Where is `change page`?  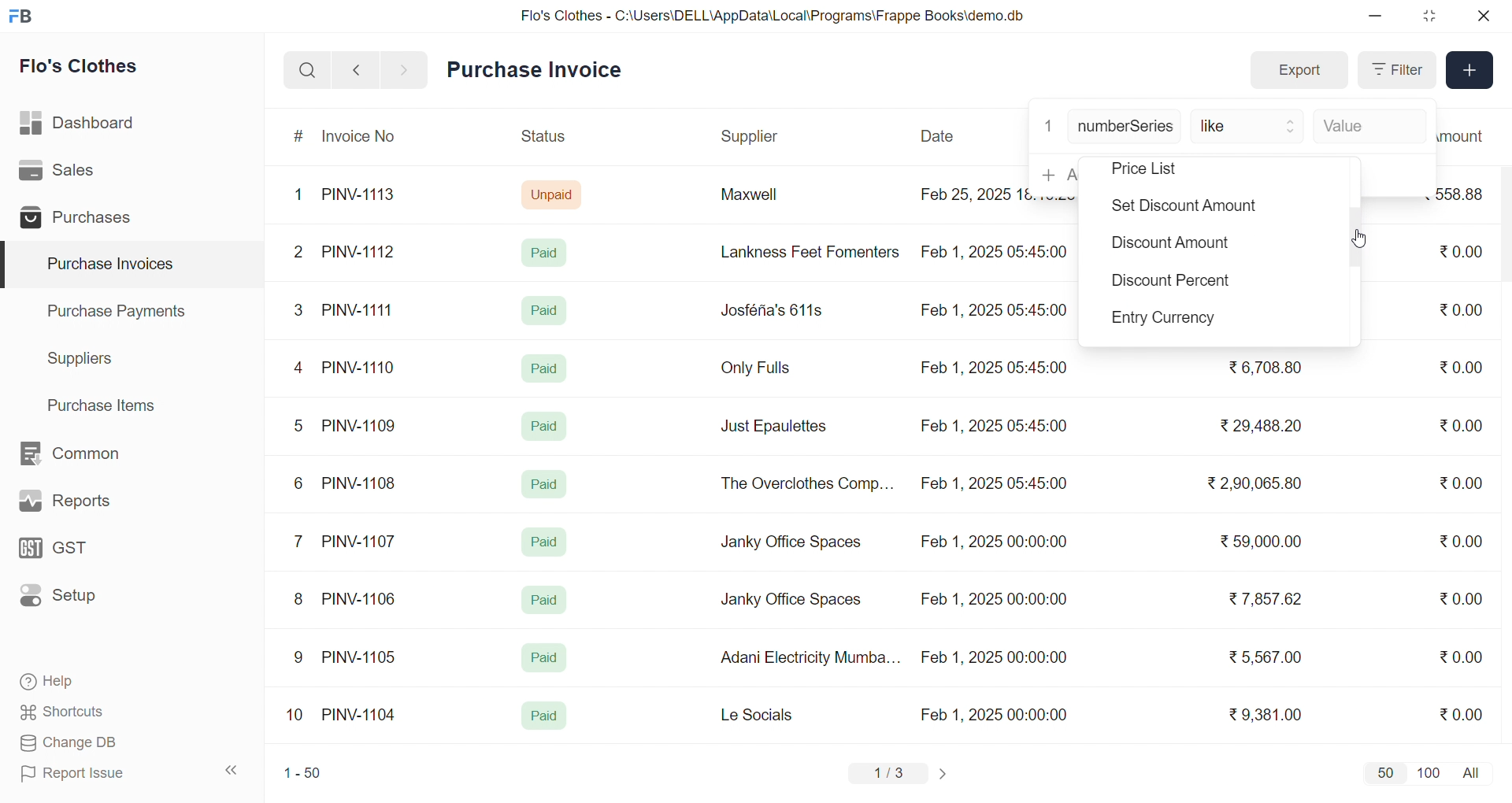
change page is located at coordinates (945, 773).